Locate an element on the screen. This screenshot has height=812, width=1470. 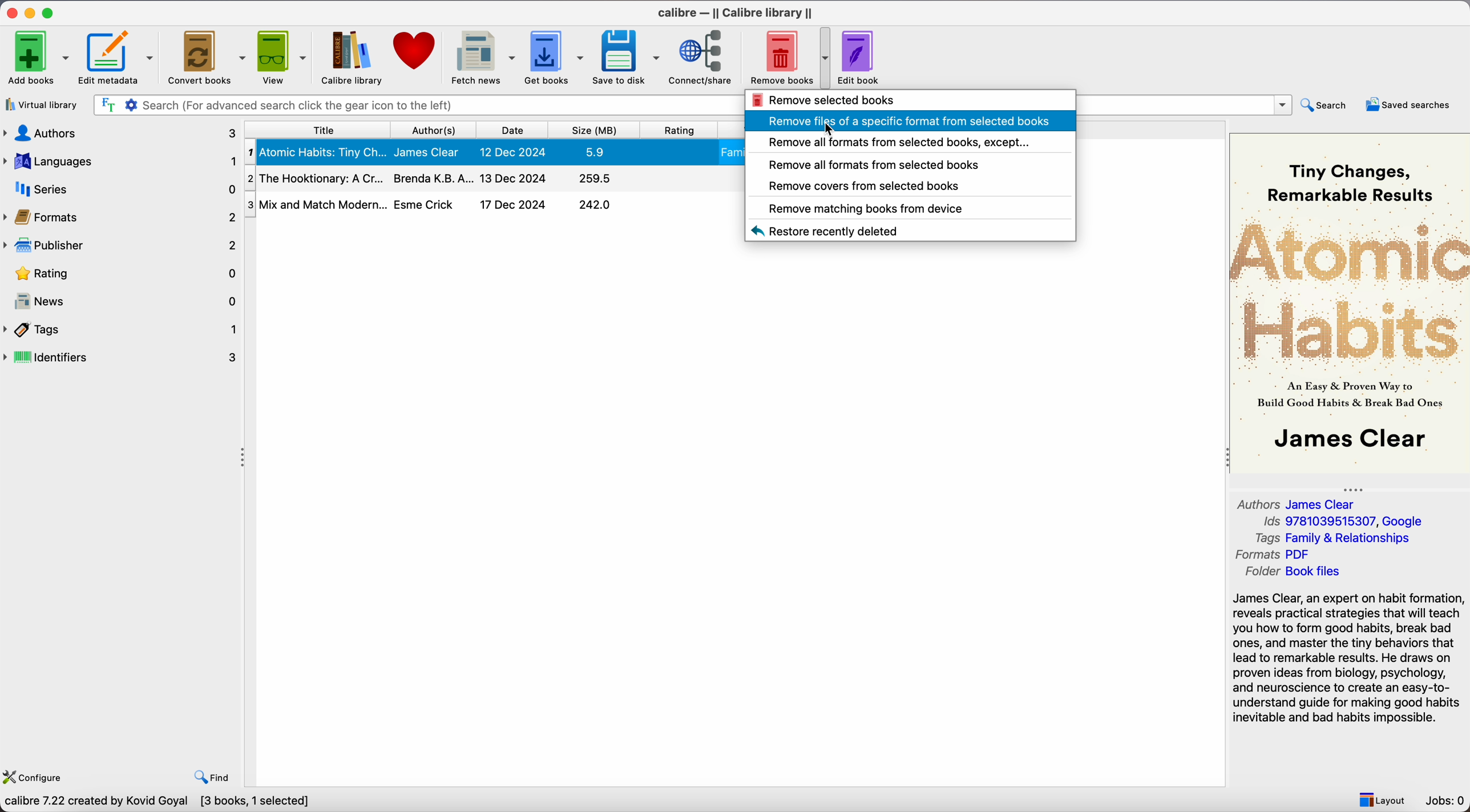
12 Dec 2024 is located at coordinates (515, 151).